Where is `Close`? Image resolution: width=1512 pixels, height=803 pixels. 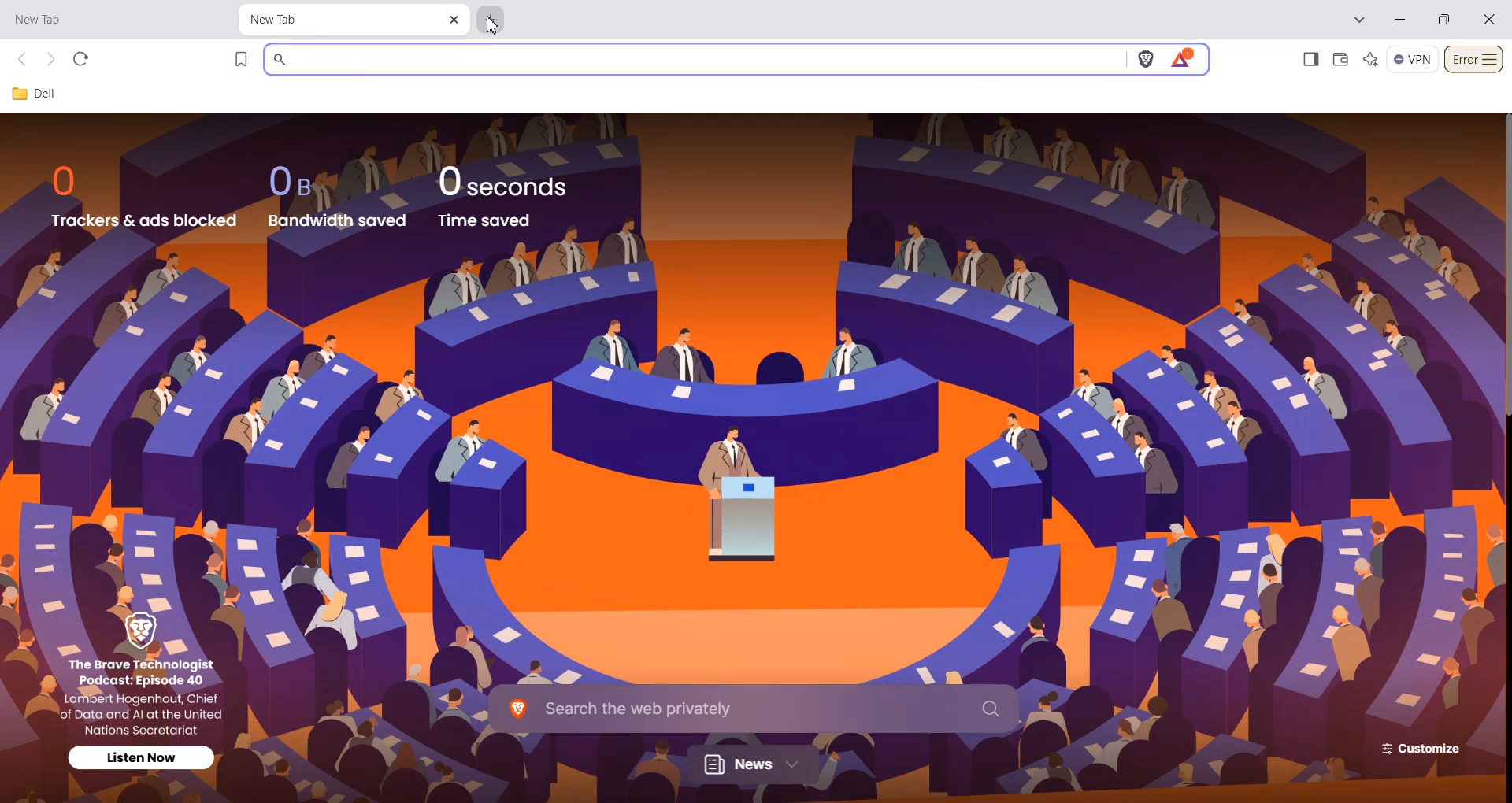 Close is located at coordinates (1490, 19).